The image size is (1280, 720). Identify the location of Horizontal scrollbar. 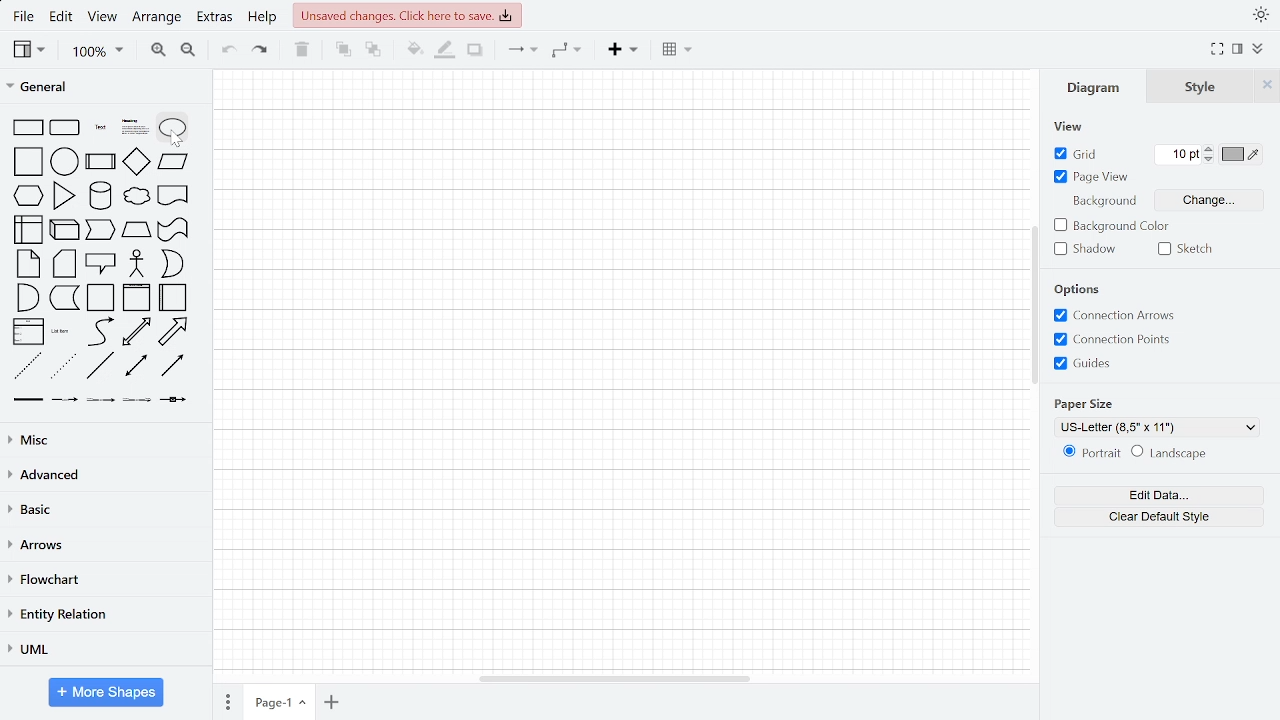
(620, 681).